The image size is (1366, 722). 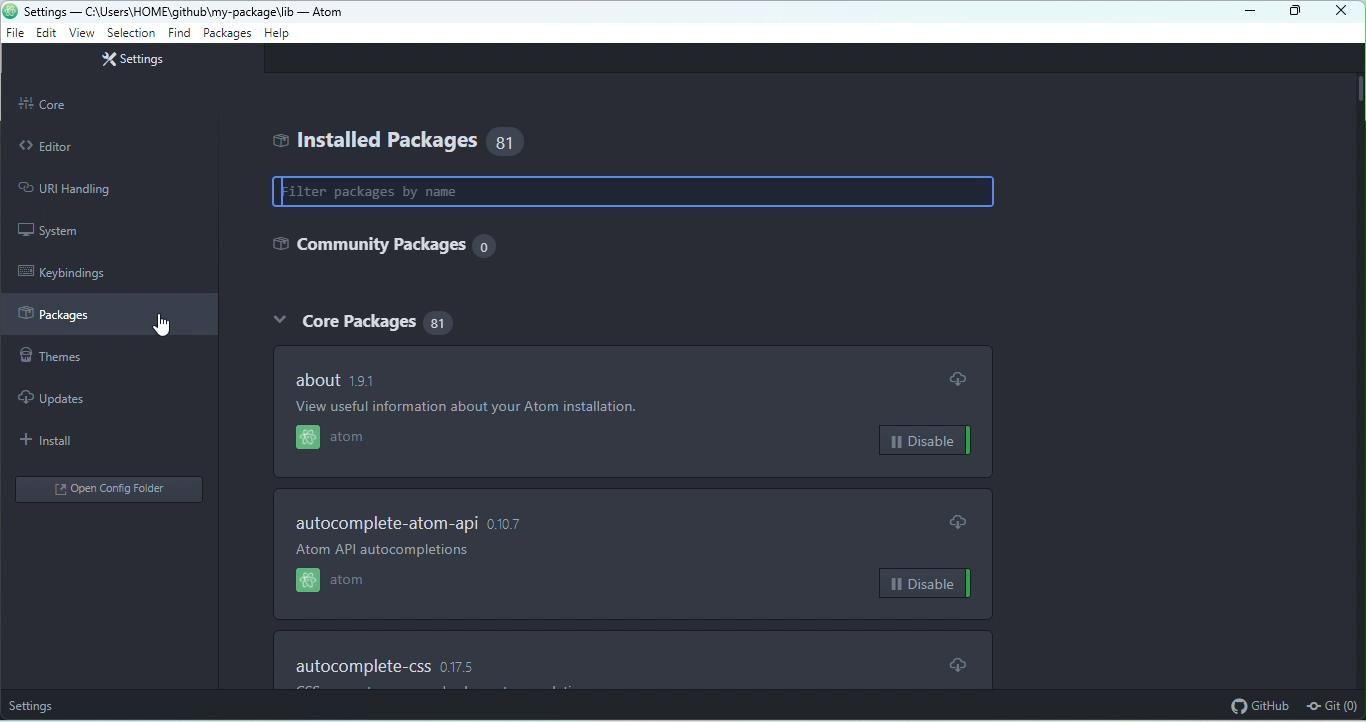 What do you see at coordinates (287, 191) in the screenshot?
I see `typing cursor` at bounding box center [287, 191].